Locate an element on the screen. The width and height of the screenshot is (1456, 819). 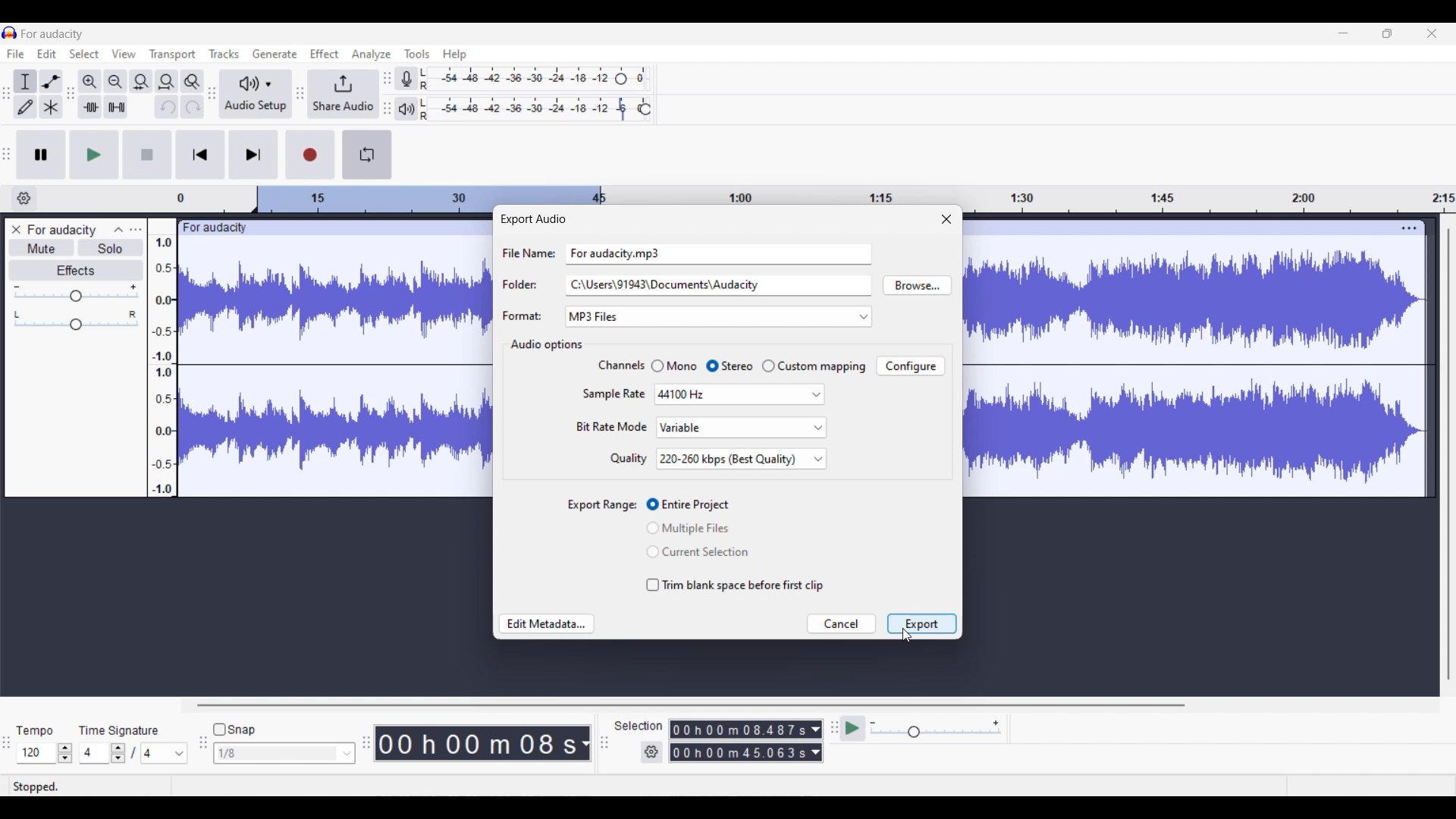
Indicates time signature settings is located at coordinates (119, 730).